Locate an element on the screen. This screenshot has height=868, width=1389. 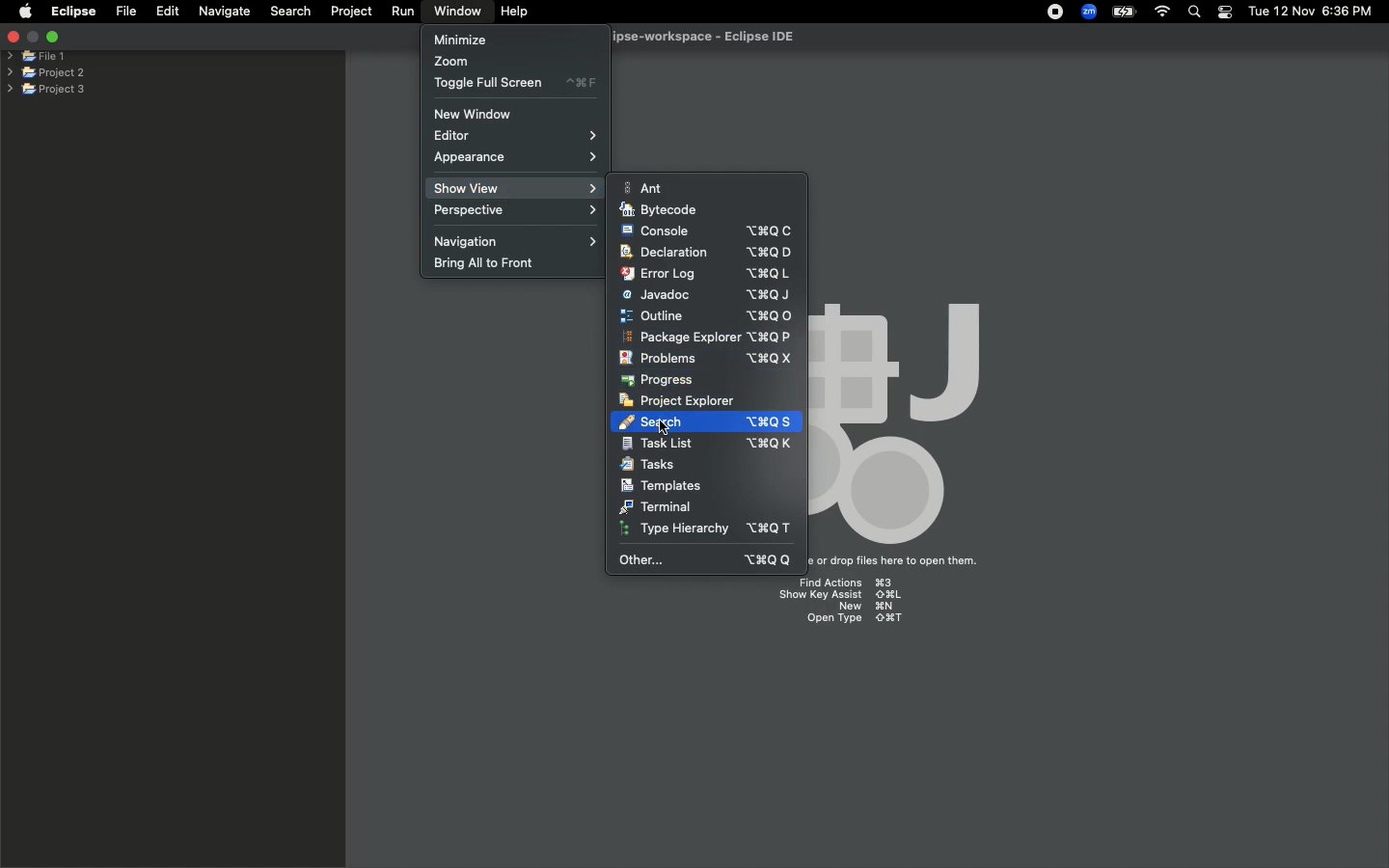
Outline is located at coordinates (706, 315).